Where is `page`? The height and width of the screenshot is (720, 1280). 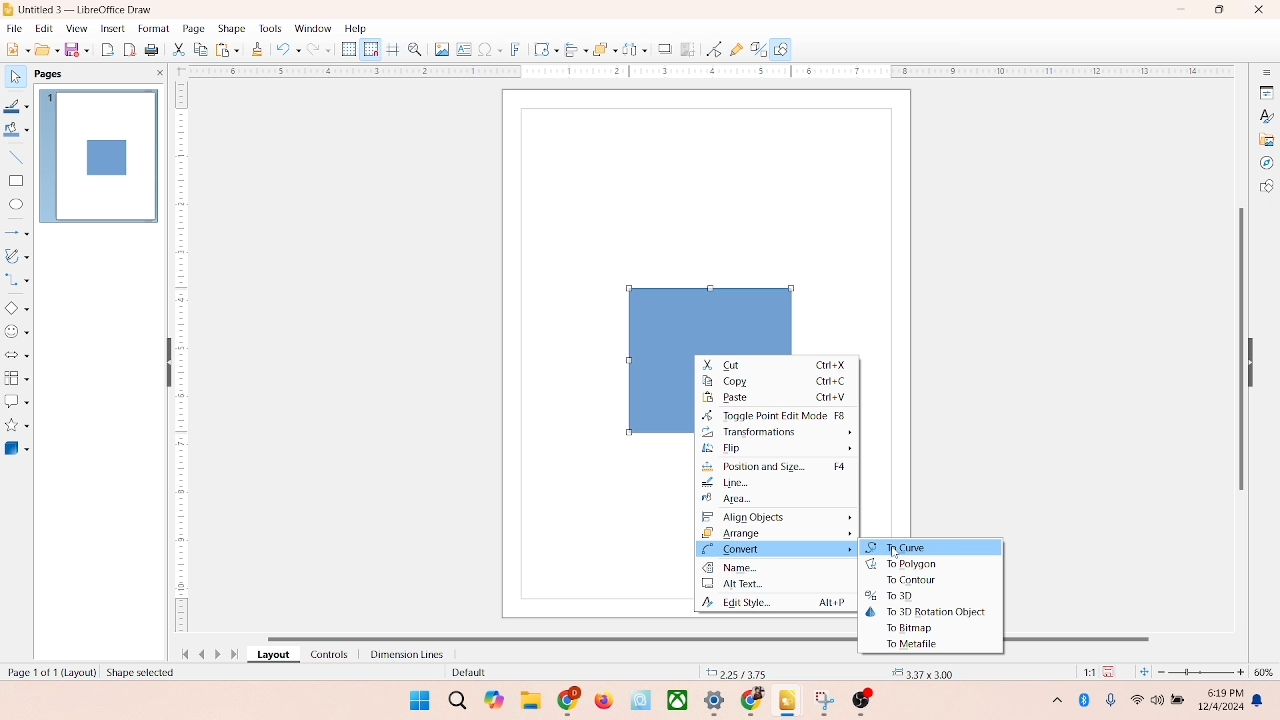
page is located at coordinates (191, 29).